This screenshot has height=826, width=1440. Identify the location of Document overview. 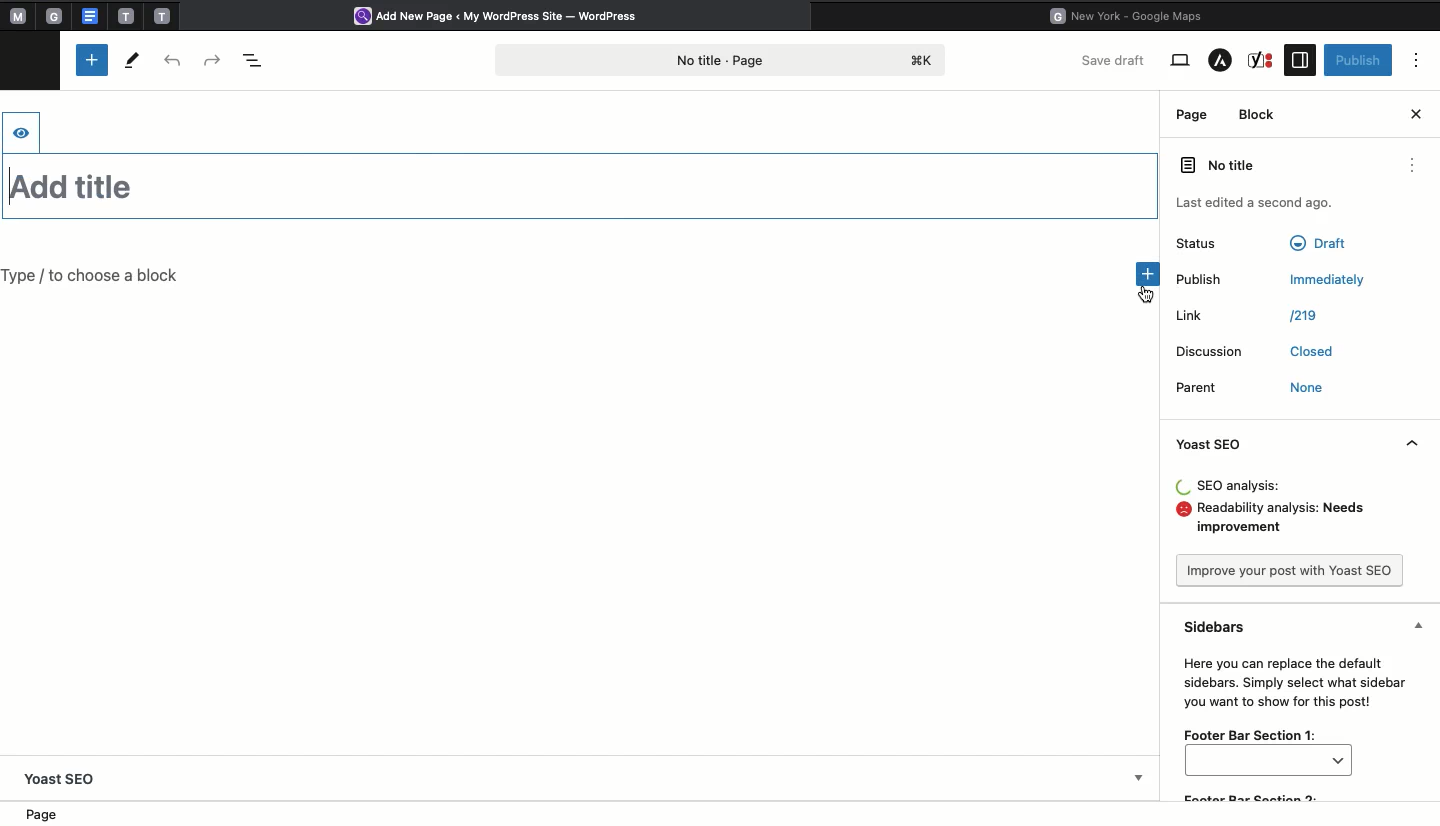
(253, 58).